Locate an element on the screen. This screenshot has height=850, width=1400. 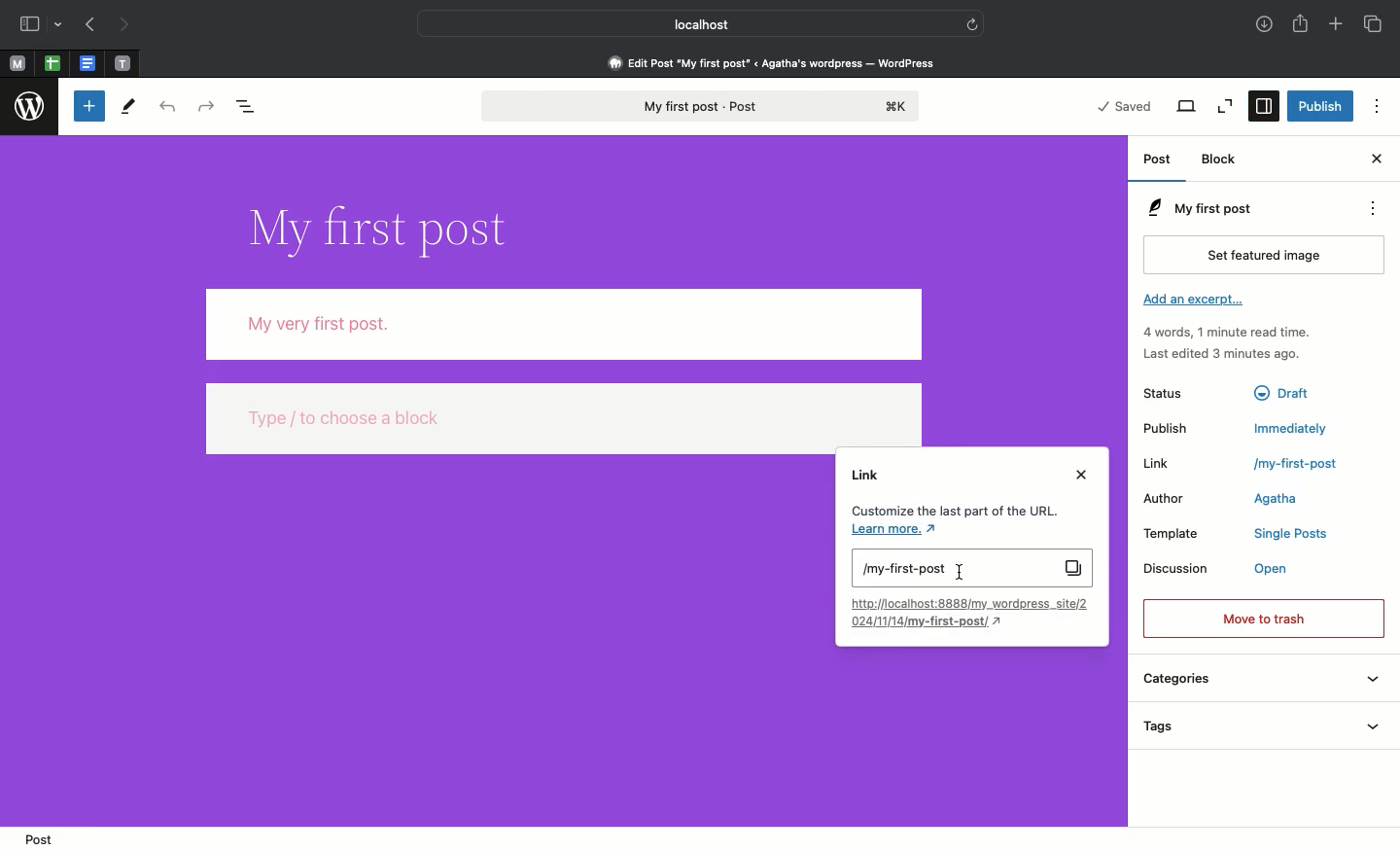
Previous page is located at coordinates (88, 25).